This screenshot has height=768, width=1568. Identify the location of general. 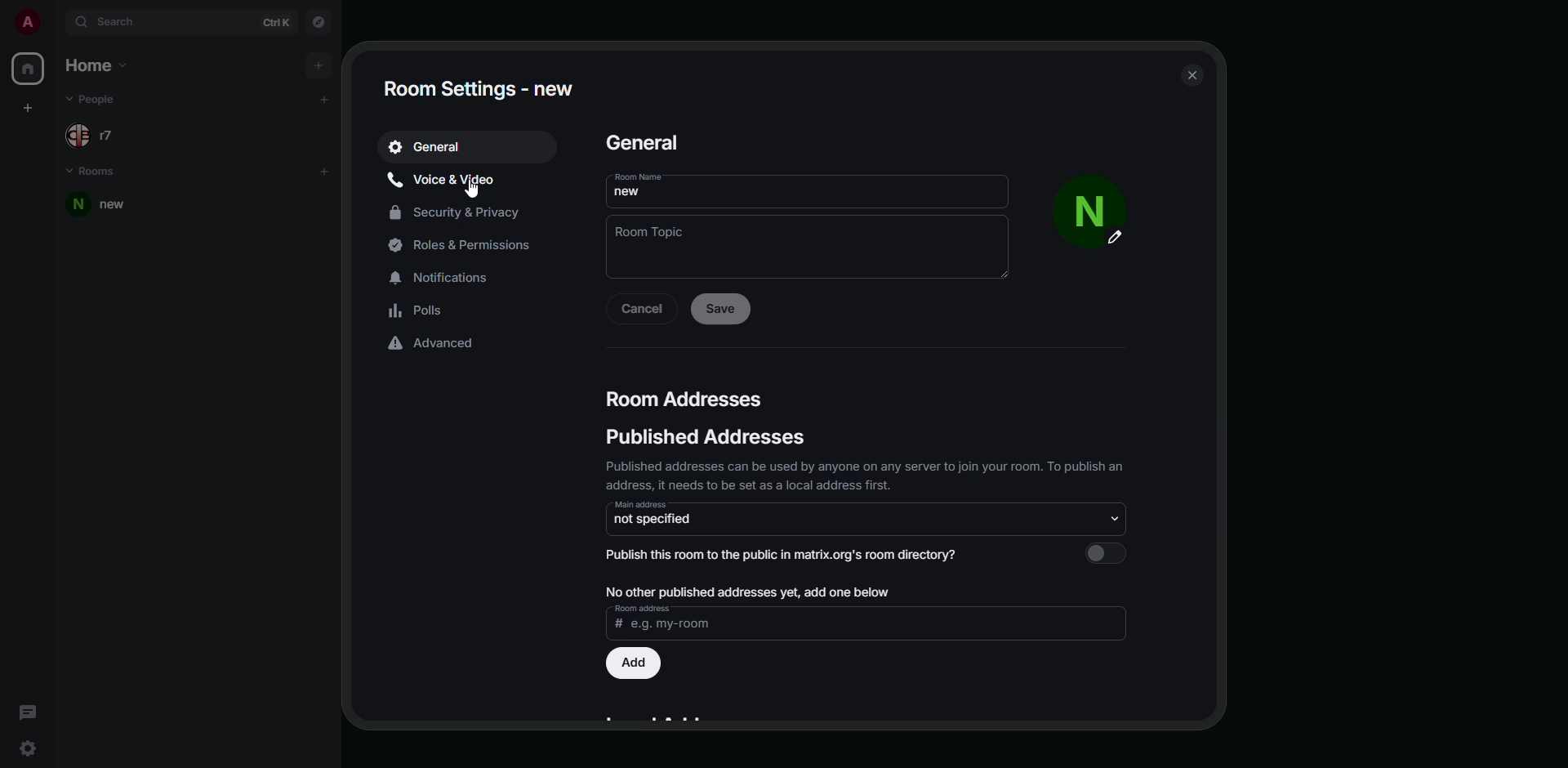
(429, 145).